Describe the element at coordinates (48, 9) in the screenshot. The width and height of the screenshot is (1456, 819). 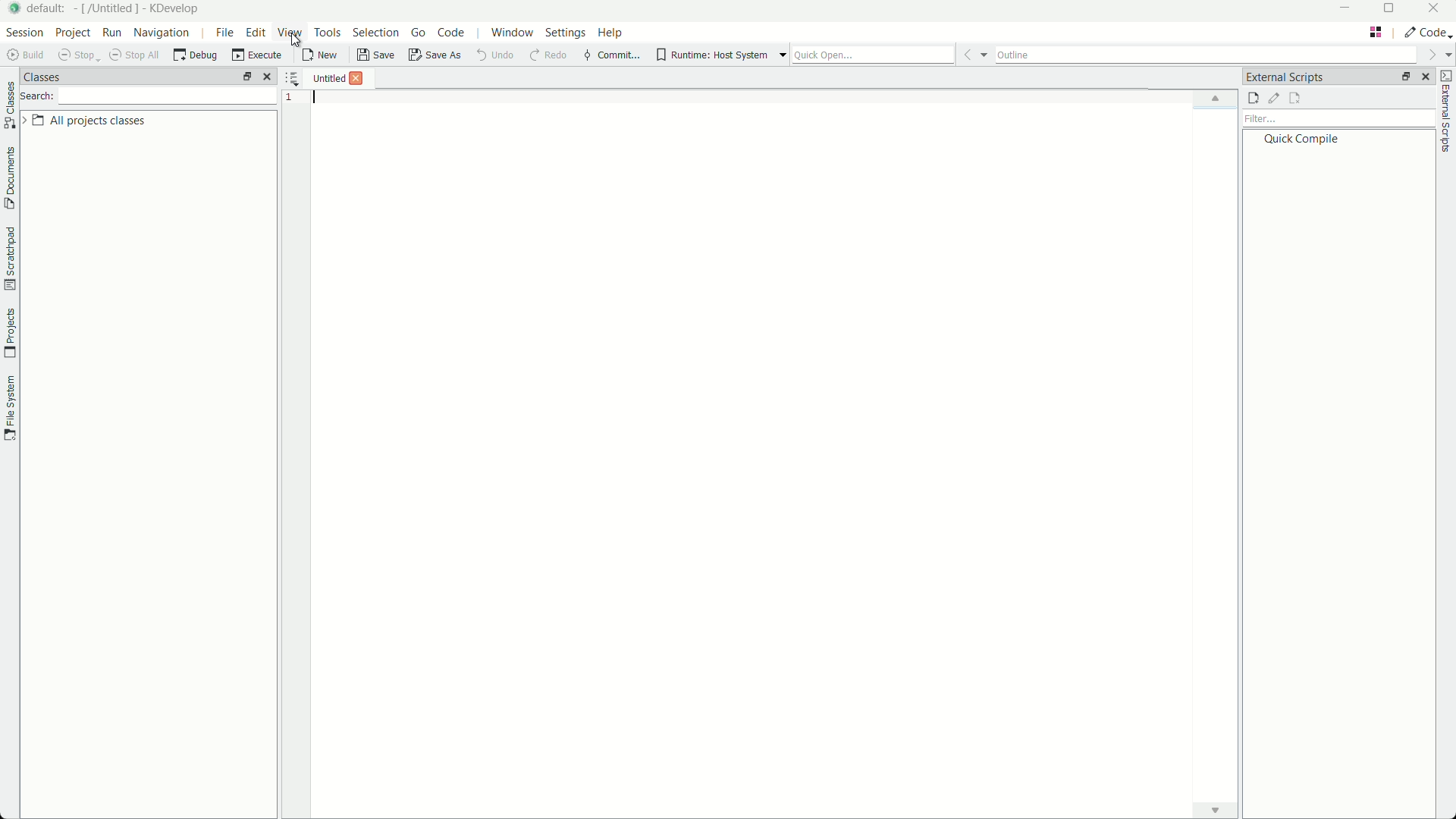
I see `default` at that location.